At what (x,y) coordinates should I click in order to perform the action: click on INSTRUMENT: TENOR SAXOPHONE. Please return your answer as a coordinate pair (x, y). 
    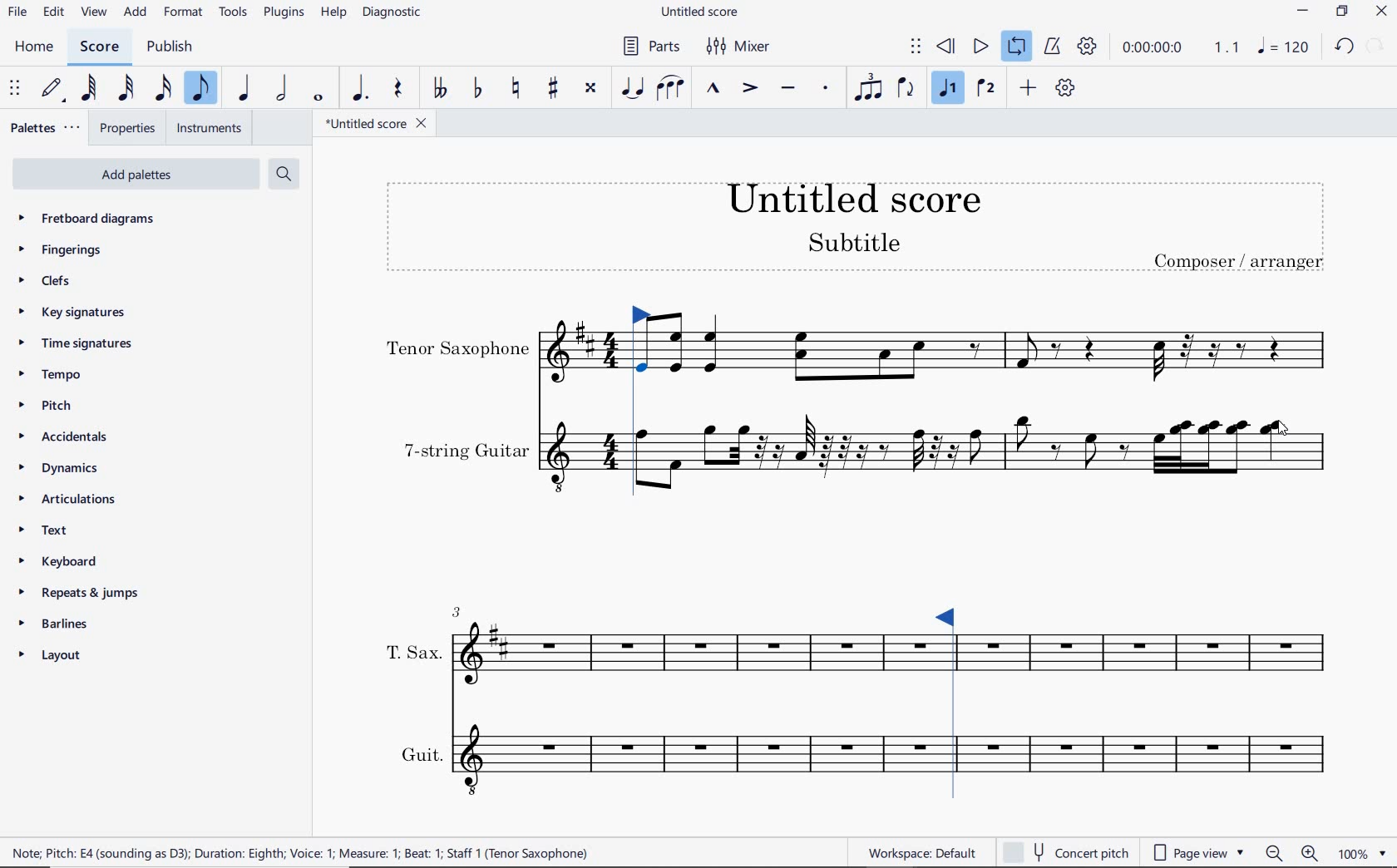
    Looking at the image, I should click on (496, 348).